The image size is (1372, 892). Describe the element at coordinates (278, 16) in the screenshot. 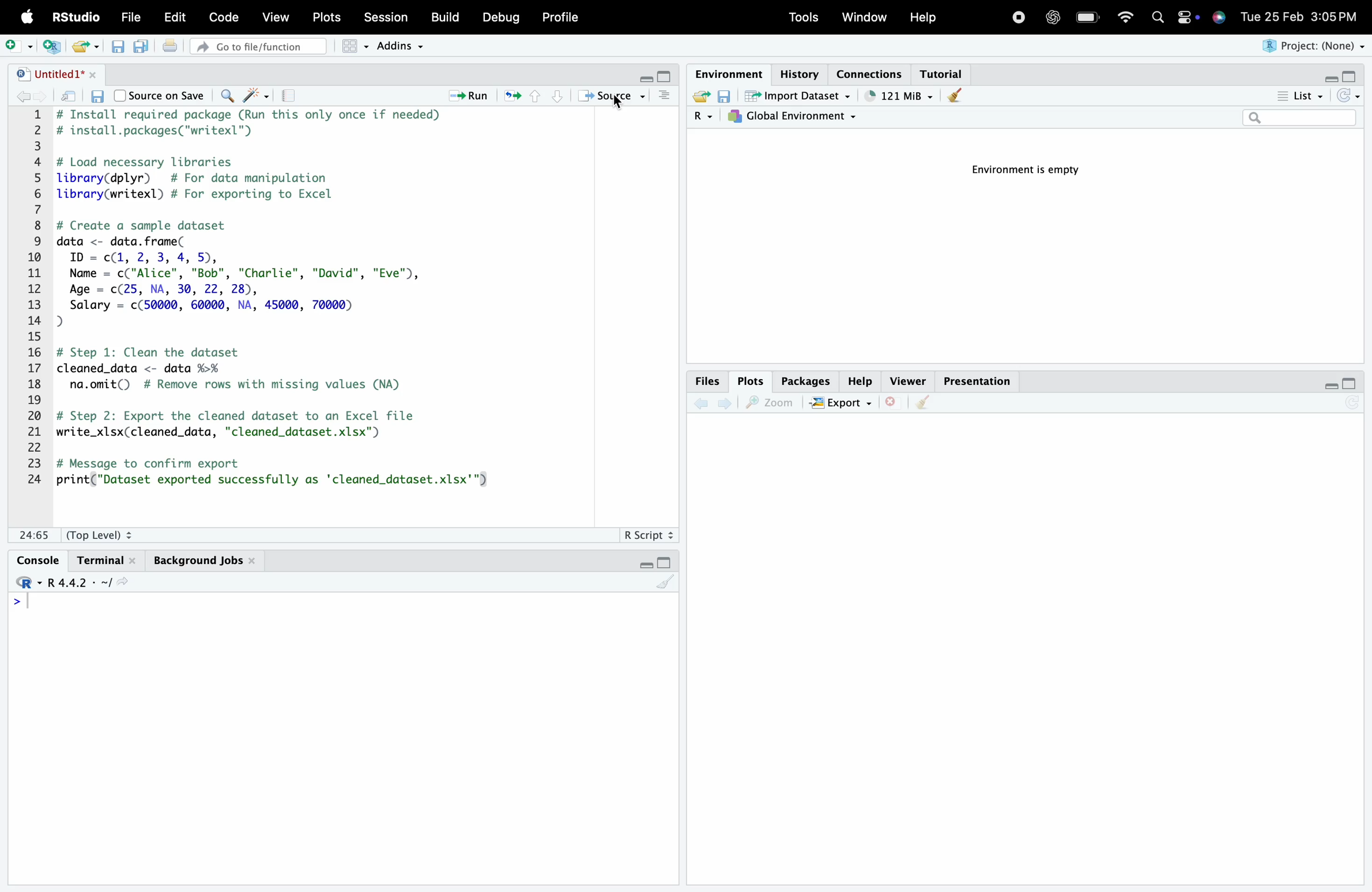

I see `View` at that location.